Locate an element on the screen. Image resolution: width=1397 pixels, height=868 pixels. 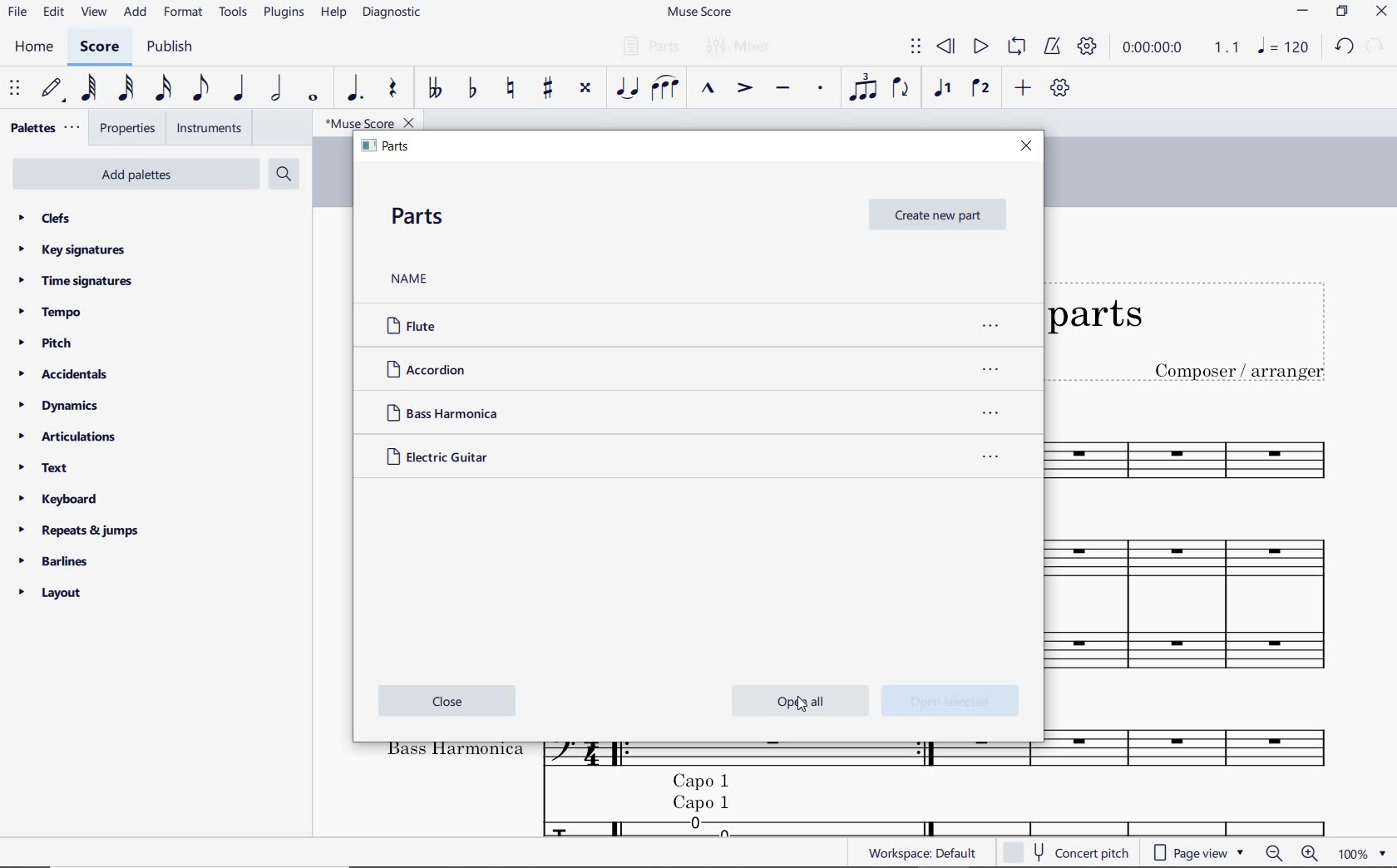
palettes is located at coordinates (46, 126).